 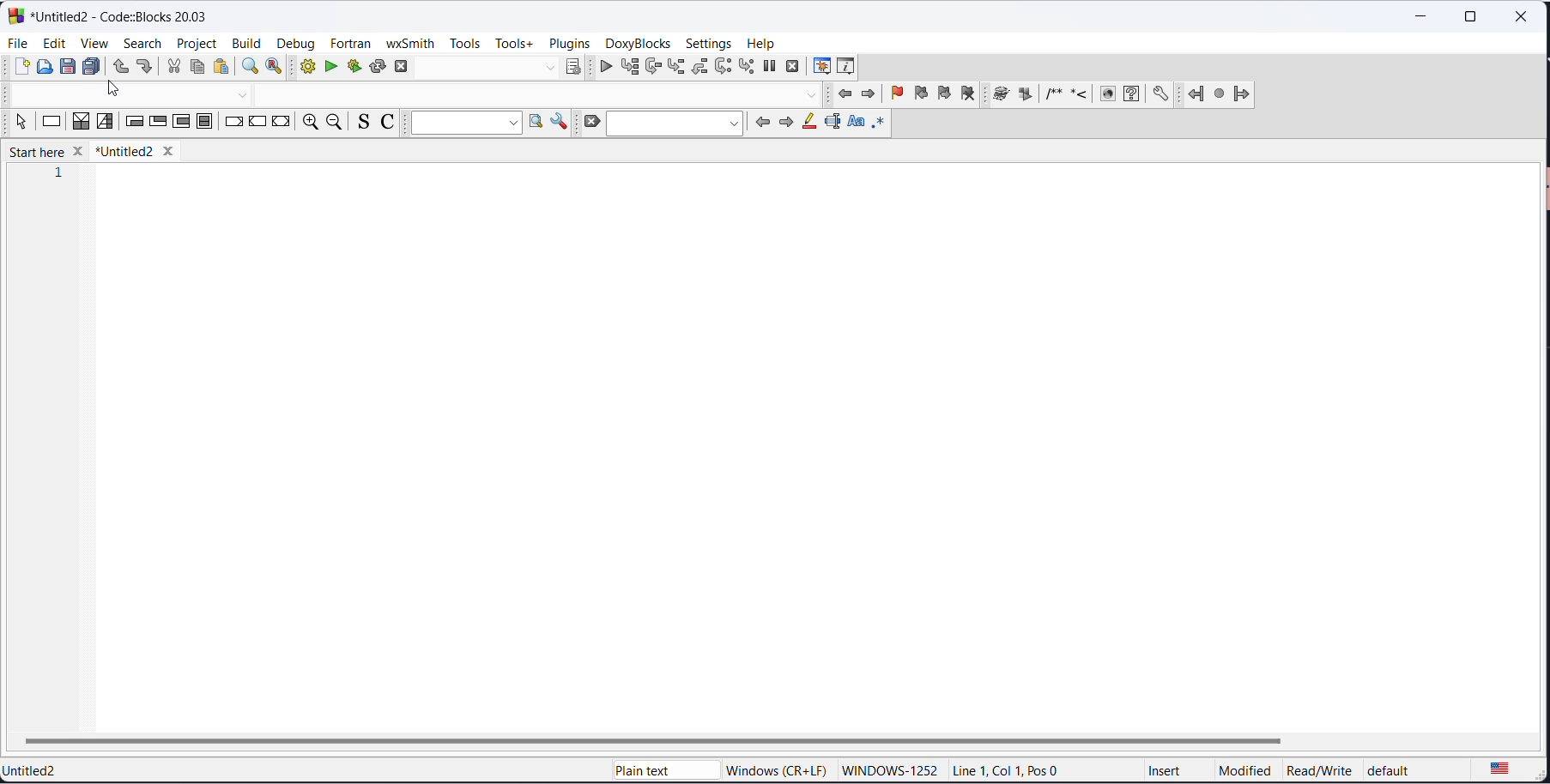 What do you see at coordinates (1195, 96) in the screenshot?
I see `jump back` at bounding box center [1195, 96].